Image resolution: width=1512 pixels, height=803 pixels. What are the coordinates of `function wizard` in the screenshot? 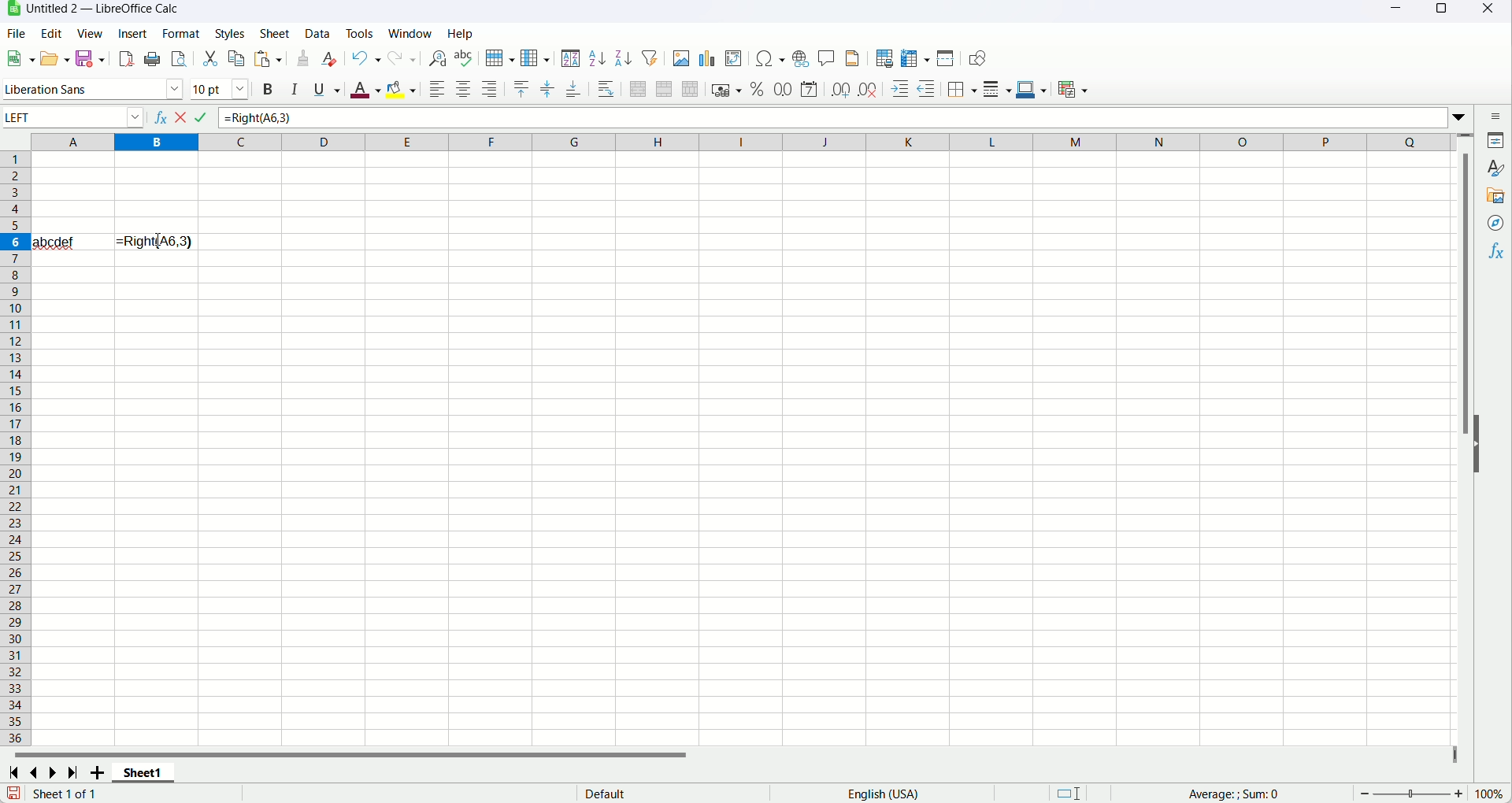 It's located at (157, 117).